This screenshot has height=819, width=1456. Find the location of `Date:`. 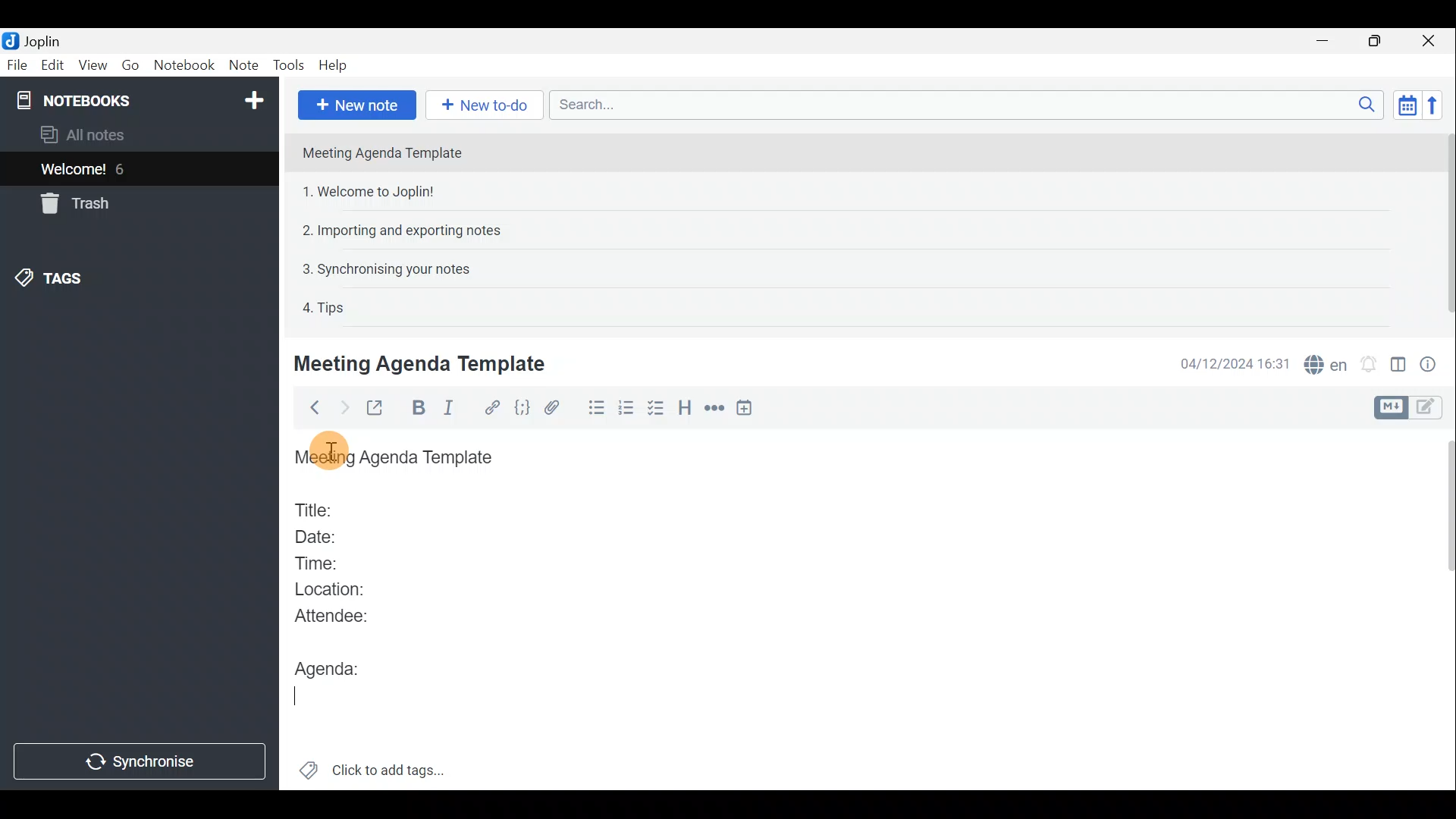

Date: is located at coordinates (328, 535).